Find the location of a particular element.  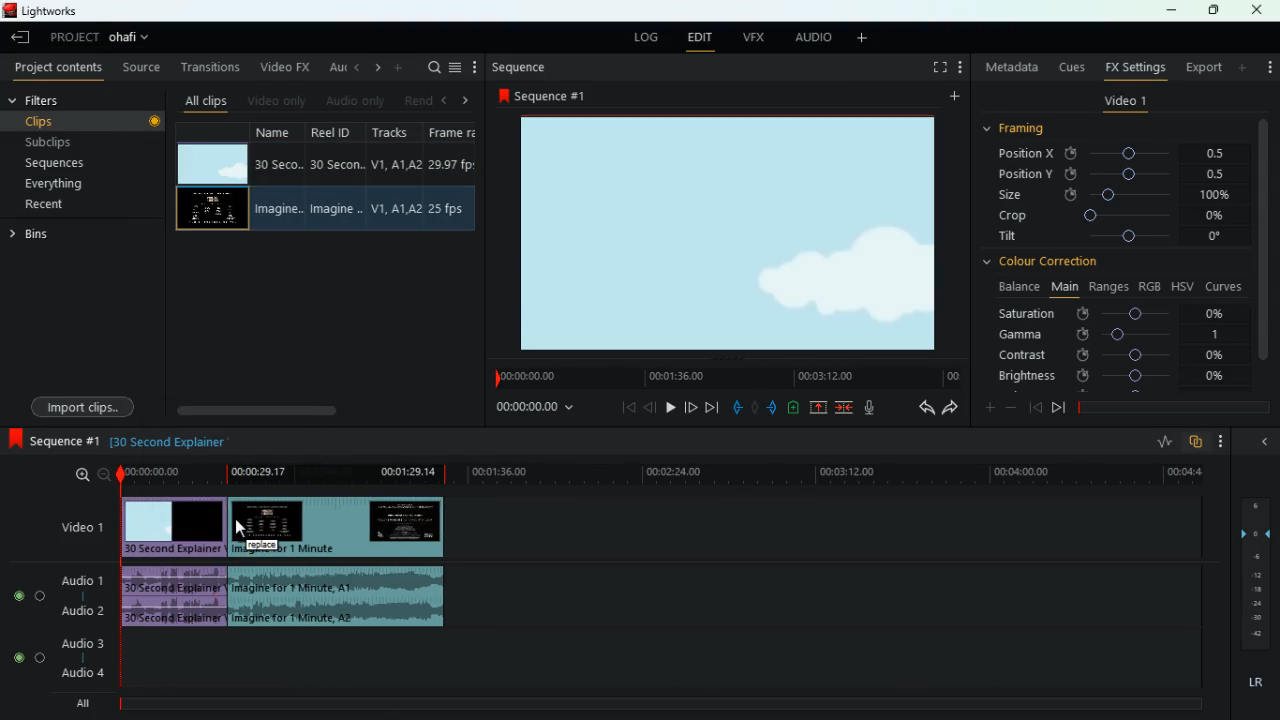

hold is located at coordinates (757, 410).